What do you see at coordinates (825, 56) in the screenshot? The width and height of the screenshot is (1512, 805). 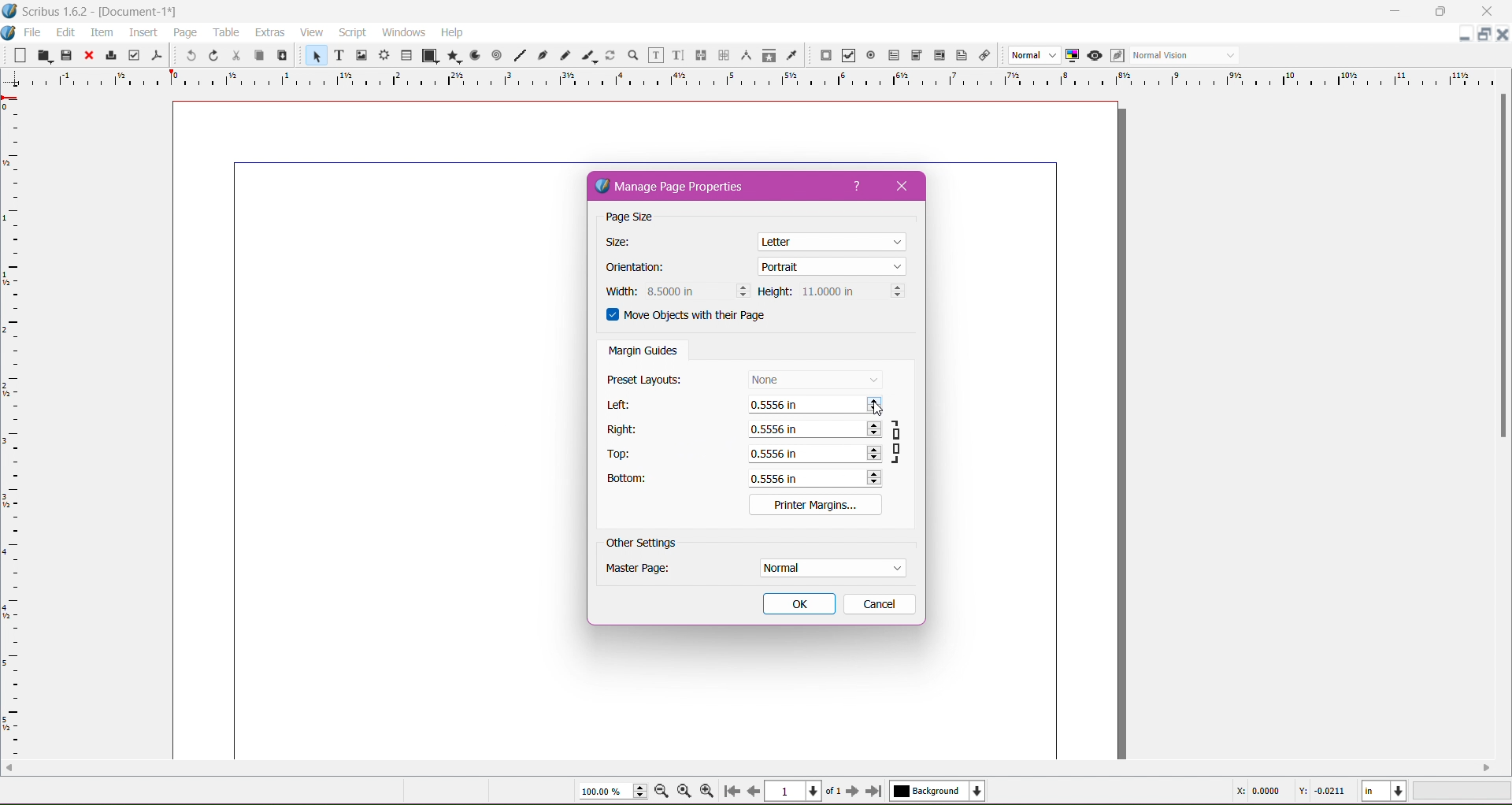 I see `PDF Push Button` at bounding box center [825, 56].